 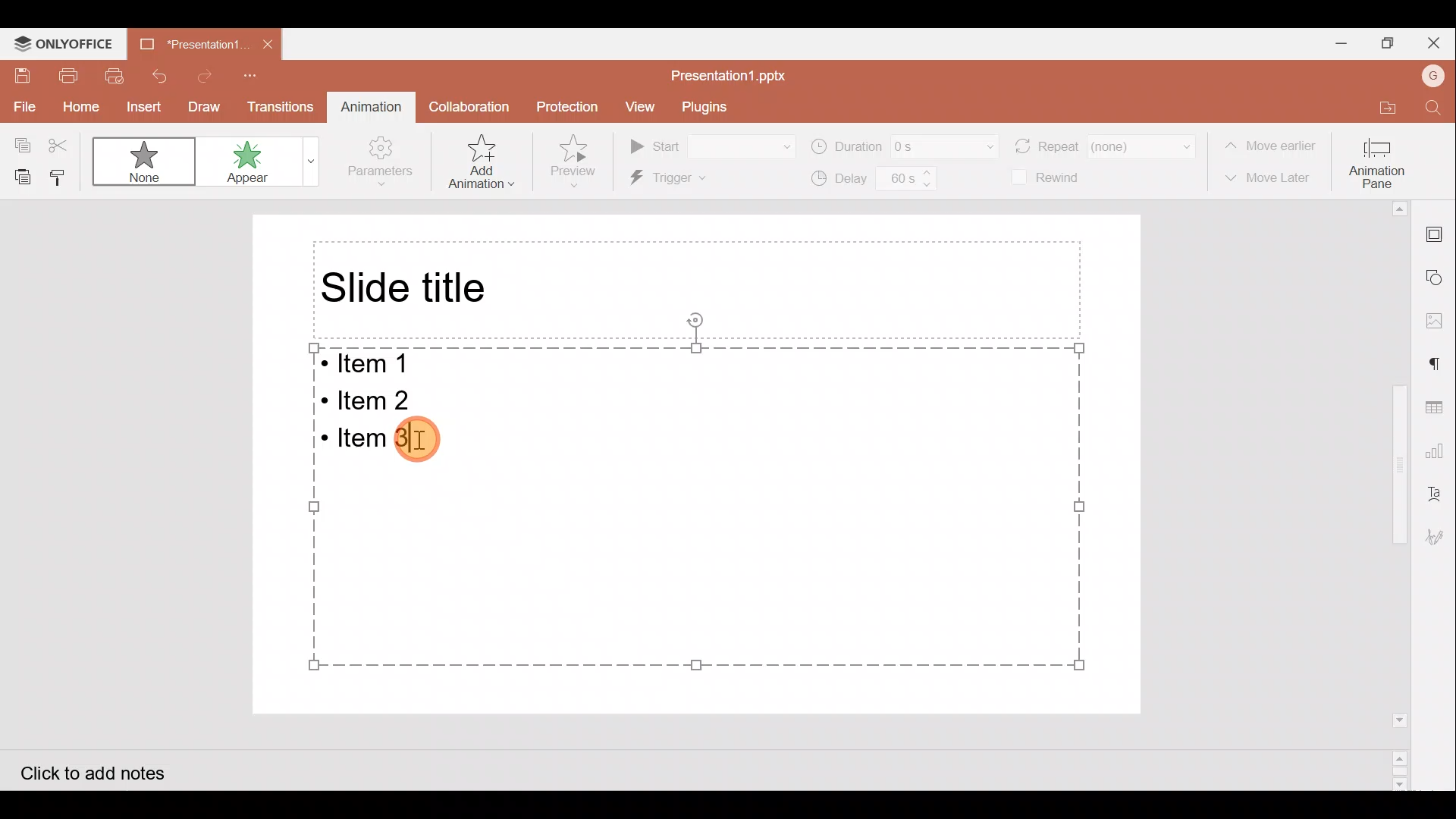 What do you see at coordinates (1379, 162) in the screenshot?
I see `Animation pane` at bounding box center [1379, 162].